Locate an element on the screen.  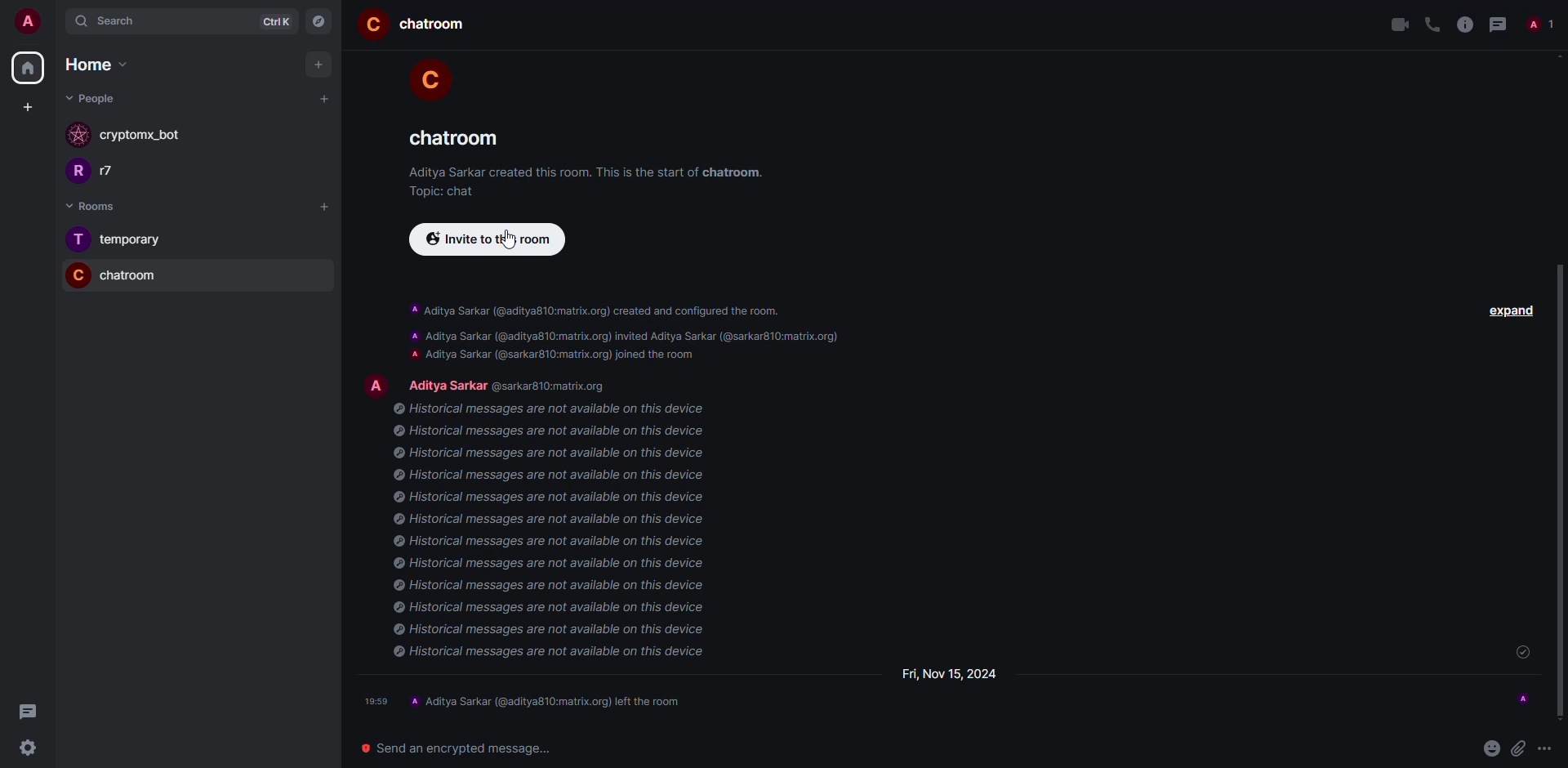
id is located at coordinates (557, 386).